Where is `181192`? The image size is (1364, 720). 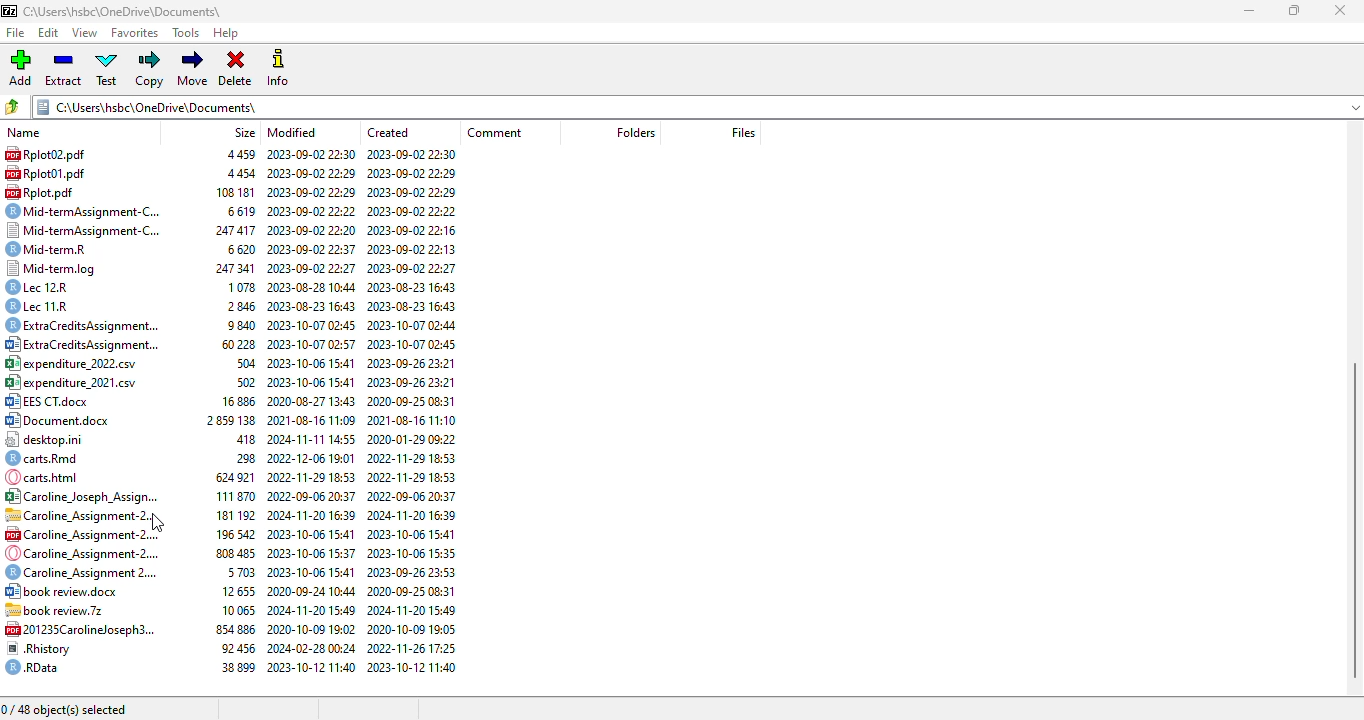 181192 is located at coordinates (237, 516).